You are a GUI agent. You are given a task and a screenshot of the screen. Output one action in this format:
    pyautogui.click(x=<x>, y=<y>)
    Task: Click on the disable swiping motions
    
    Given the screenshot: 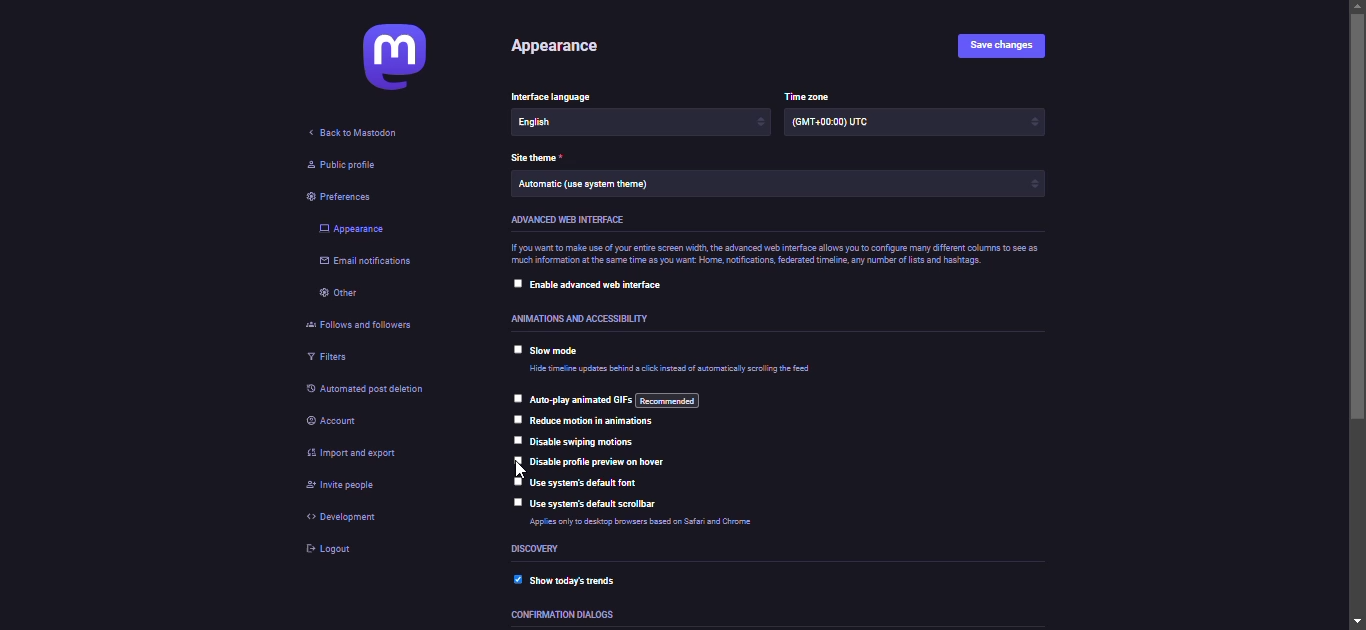 What is the action you would take?
    pyautogui.click(x=587, y=443)
    